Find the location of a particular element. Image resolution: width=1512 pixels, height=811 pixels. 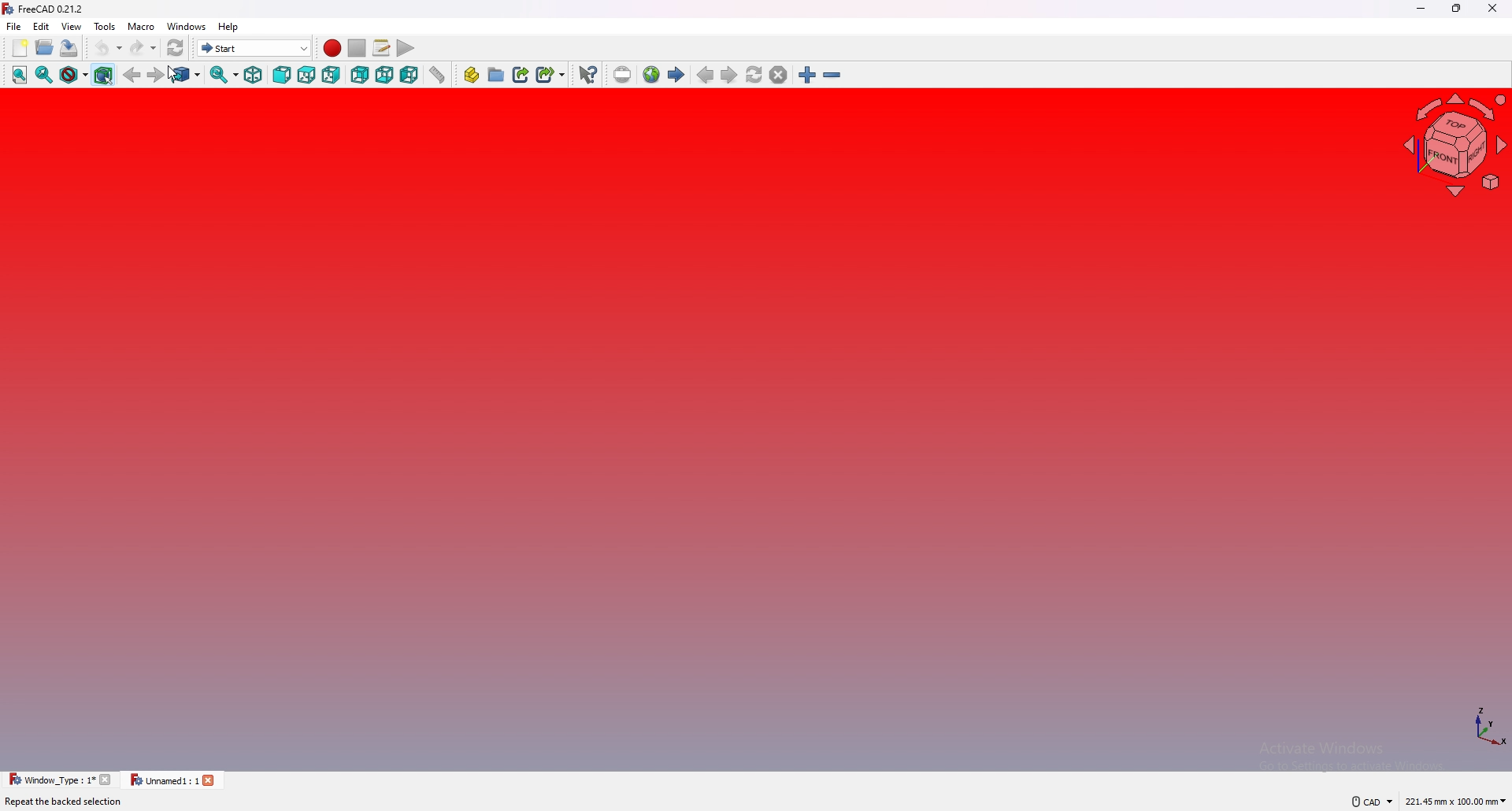

help is located at coordinates (229, 27).